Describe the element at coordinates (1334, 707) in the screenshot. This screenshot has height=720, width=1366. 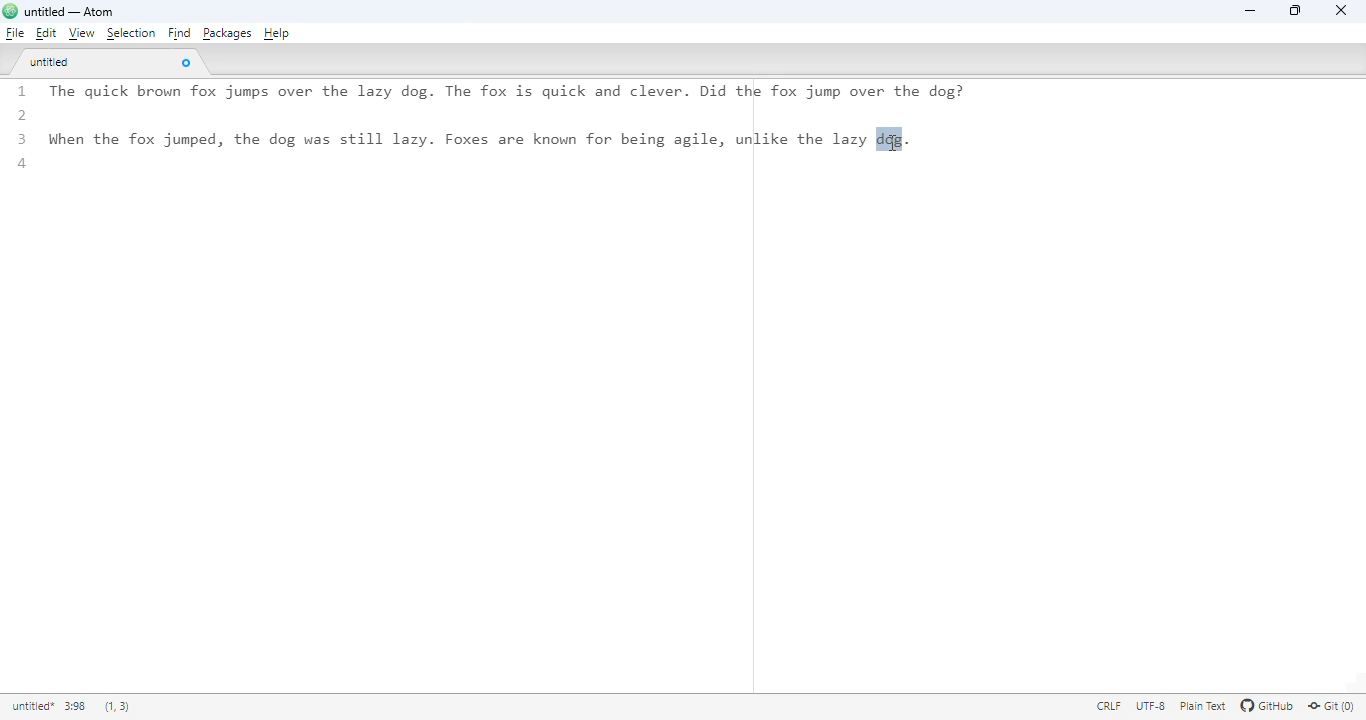
I see `git(0)` at that location.